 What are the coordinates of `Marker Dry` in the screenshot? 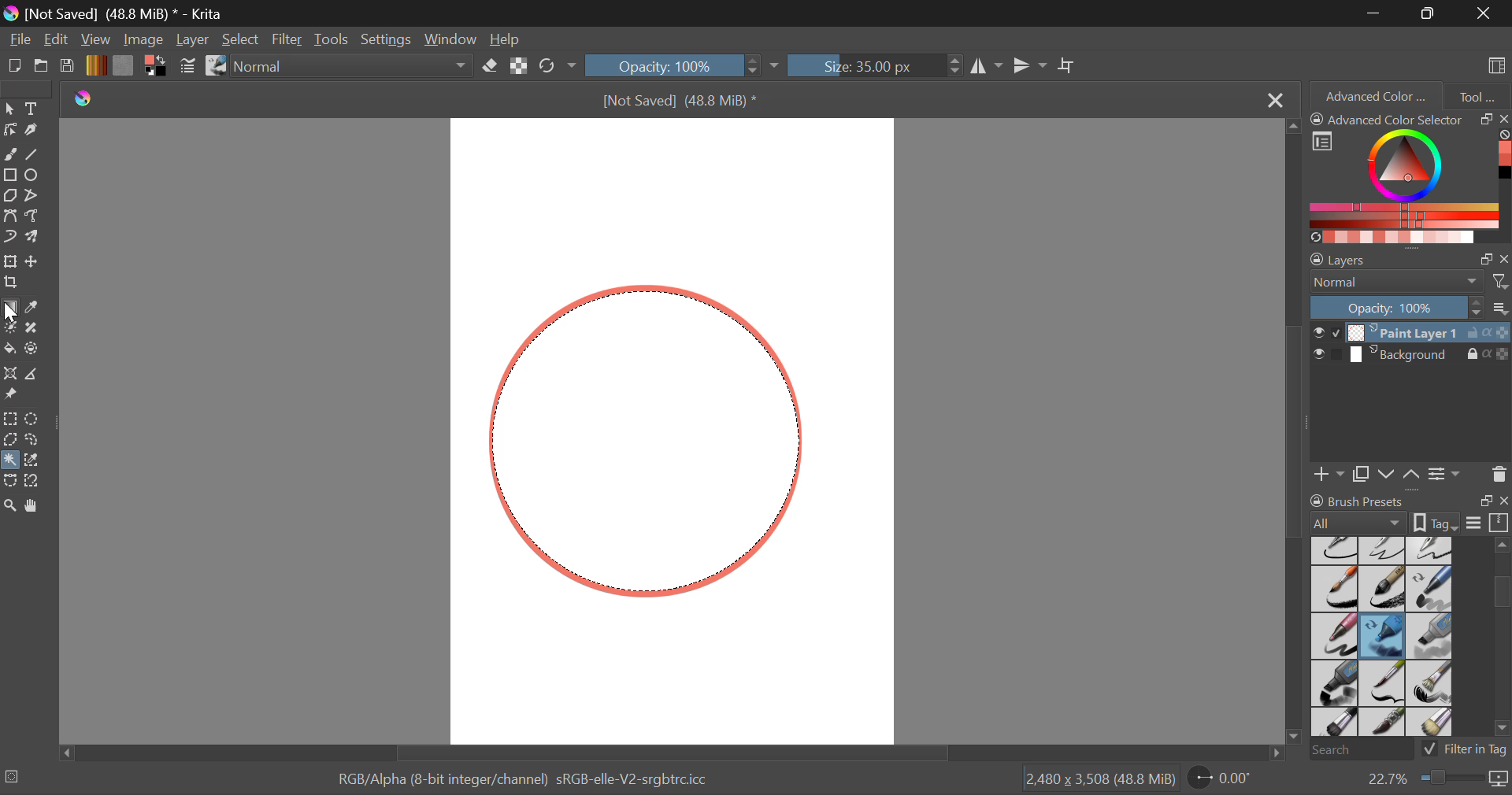 It's located at (1383, 636).